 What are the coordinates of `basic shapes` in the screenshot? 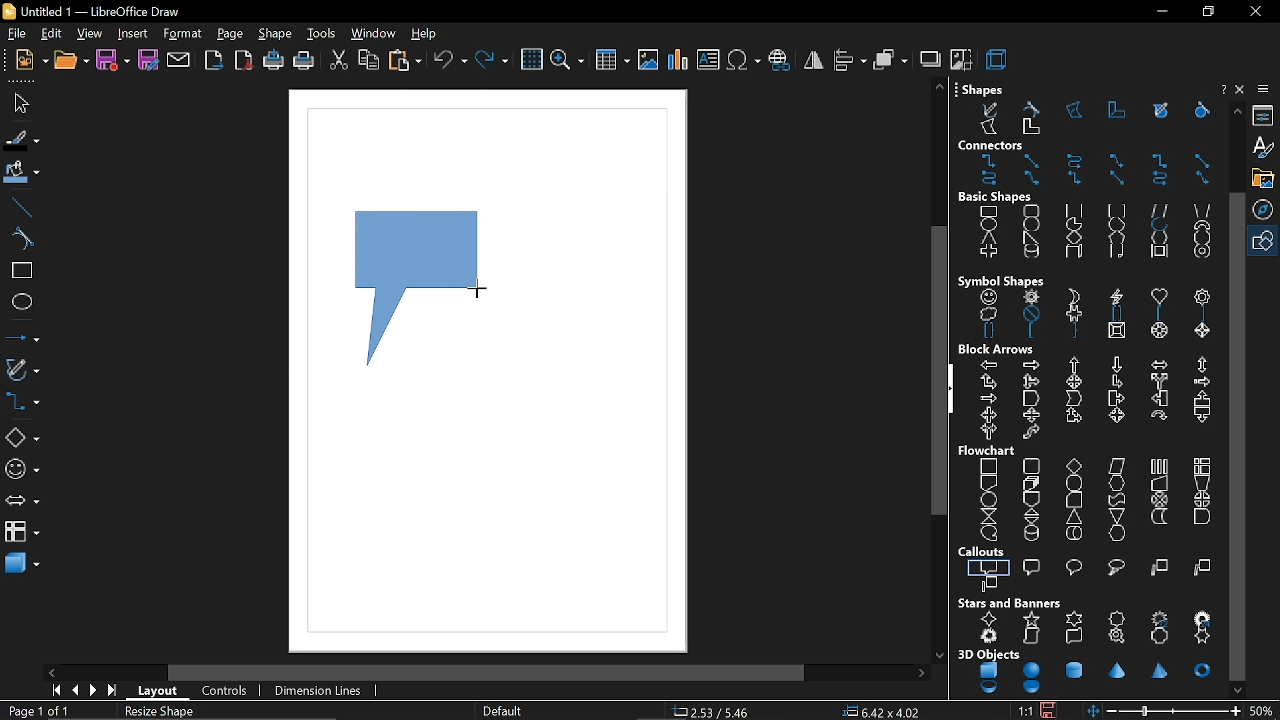 It's located at (22, 438).